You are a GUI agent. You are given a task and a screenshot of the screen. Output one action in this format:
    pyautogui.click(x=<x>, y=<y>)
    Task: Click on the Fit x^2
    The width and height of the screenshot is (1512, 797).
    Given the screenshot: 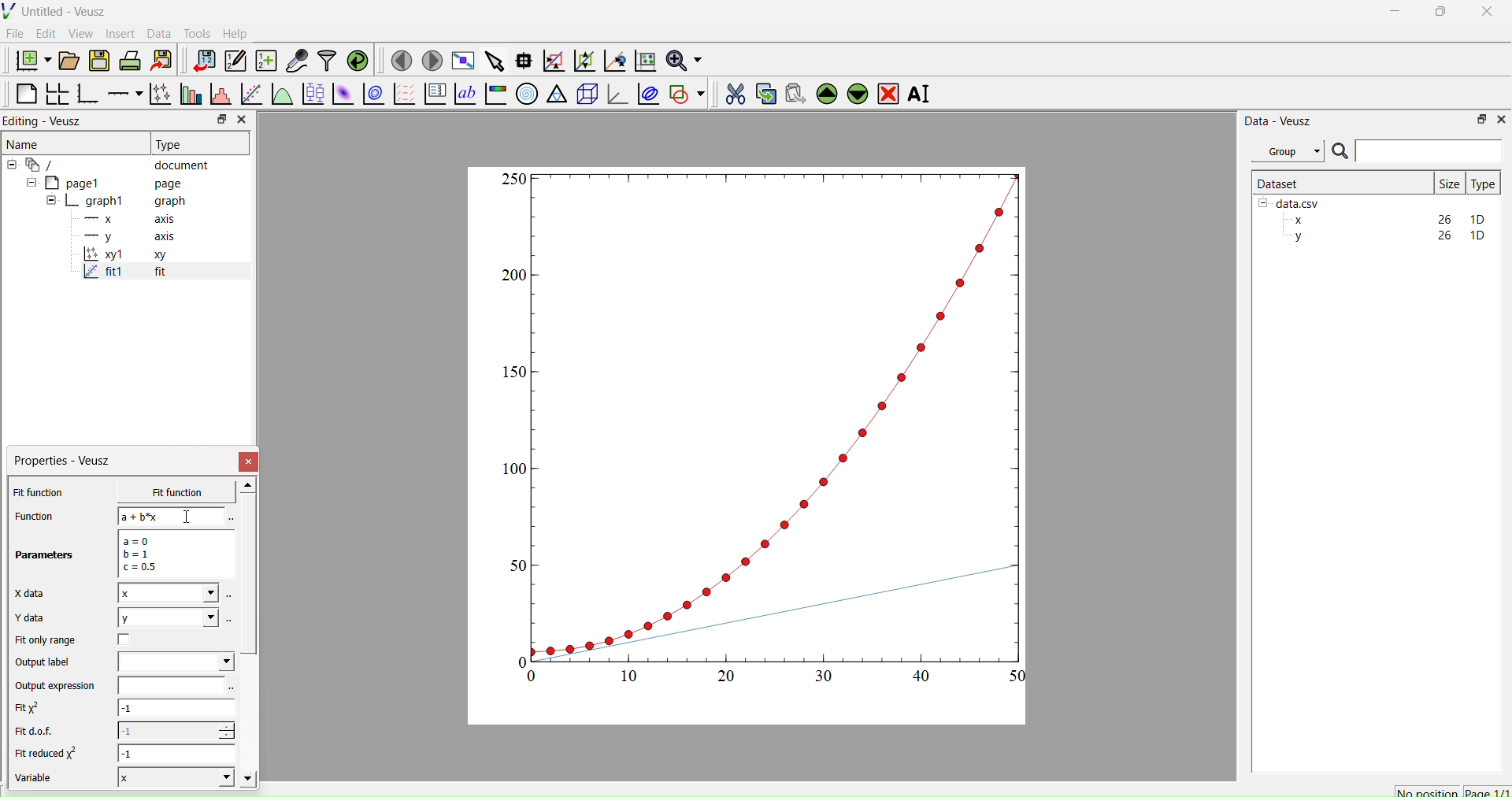 What is the action you would take?
    pyautogui.click(x=35, y=708)
    